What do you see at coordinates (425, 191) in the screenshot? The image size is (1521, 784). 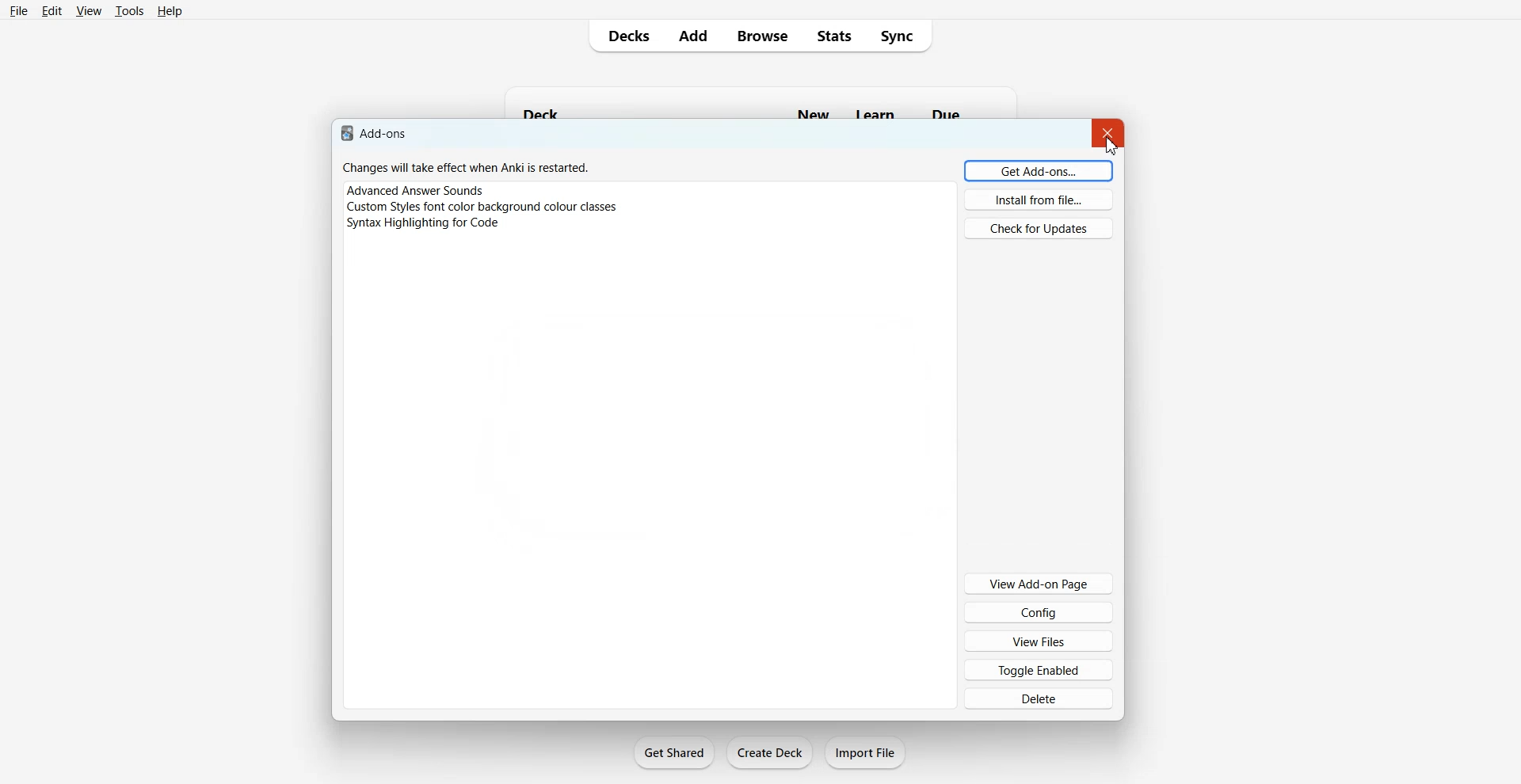 I see `Advanced Answer Sounds` at bounding box center [425, 191].